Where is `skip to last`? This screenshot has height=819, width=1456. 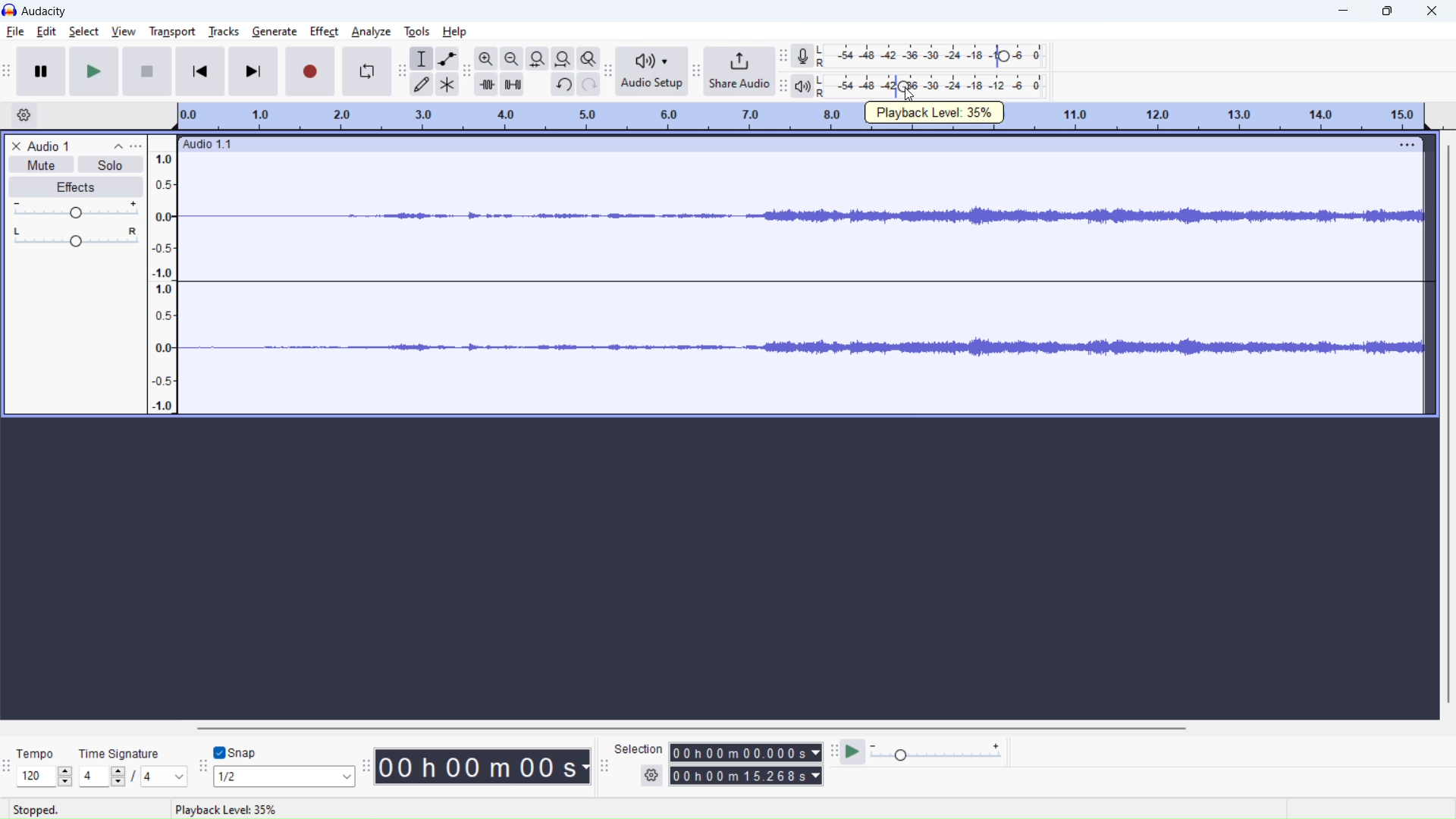 skip to last is located at coordinates (253, 71).